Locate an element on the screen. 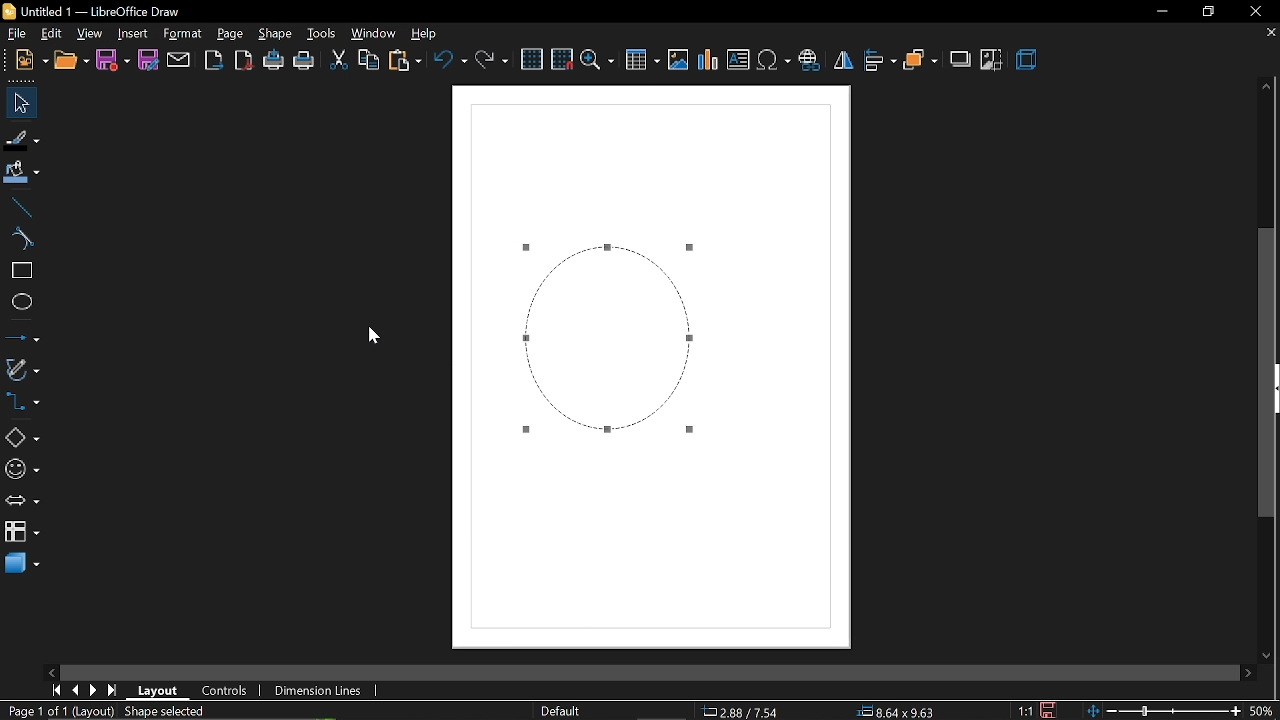 The height and width of the screenshot is (720, 1280). shape is located at coordinates (277, 32).